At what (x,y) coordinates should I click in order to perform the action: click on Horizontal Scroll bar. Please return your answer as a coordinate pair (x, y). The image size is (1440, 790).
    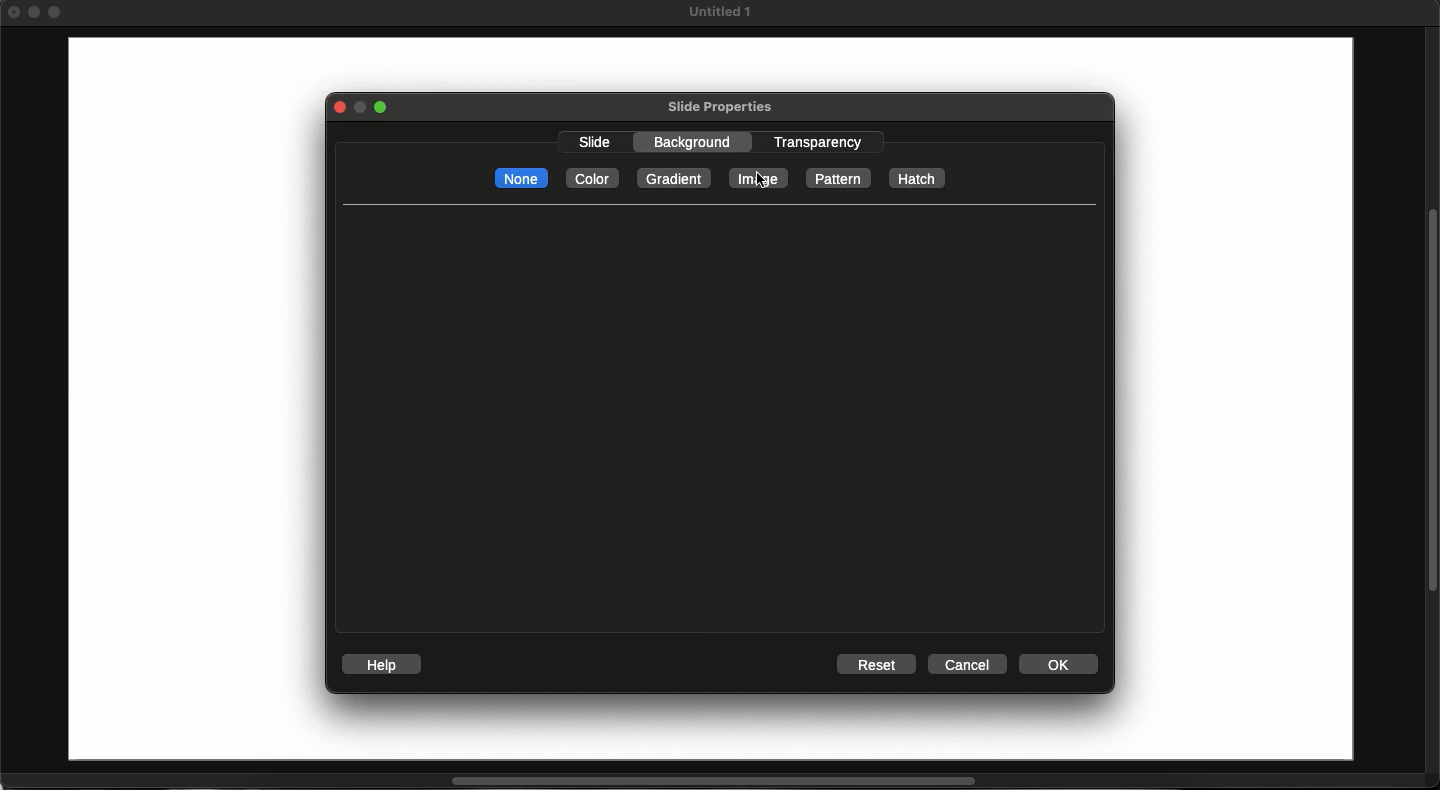
    Looking at the image, I should click on (702, 782).